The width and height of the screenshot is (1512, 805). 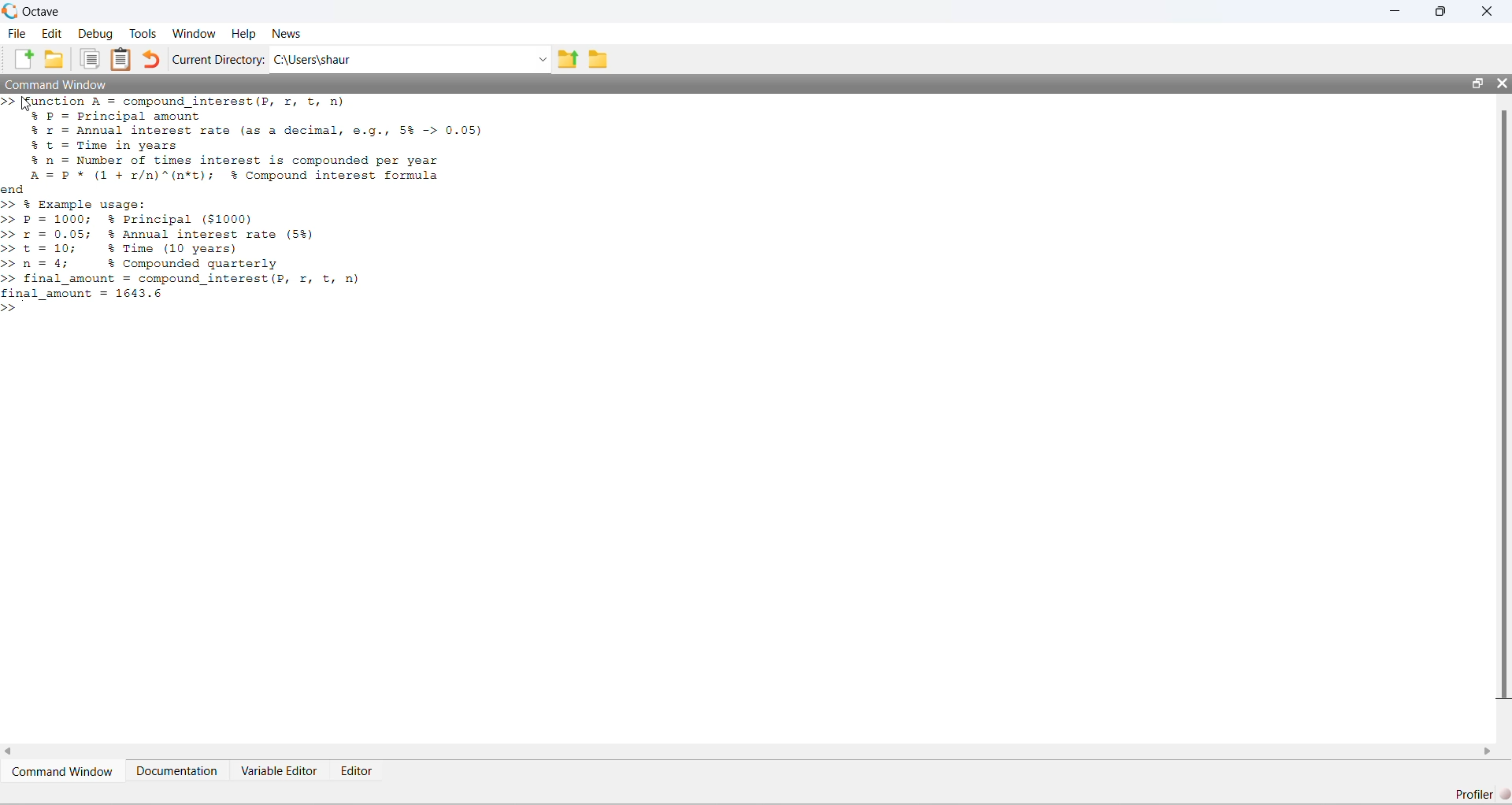 I want to click on C:\Users\shaur, so click(x=313, y=60).